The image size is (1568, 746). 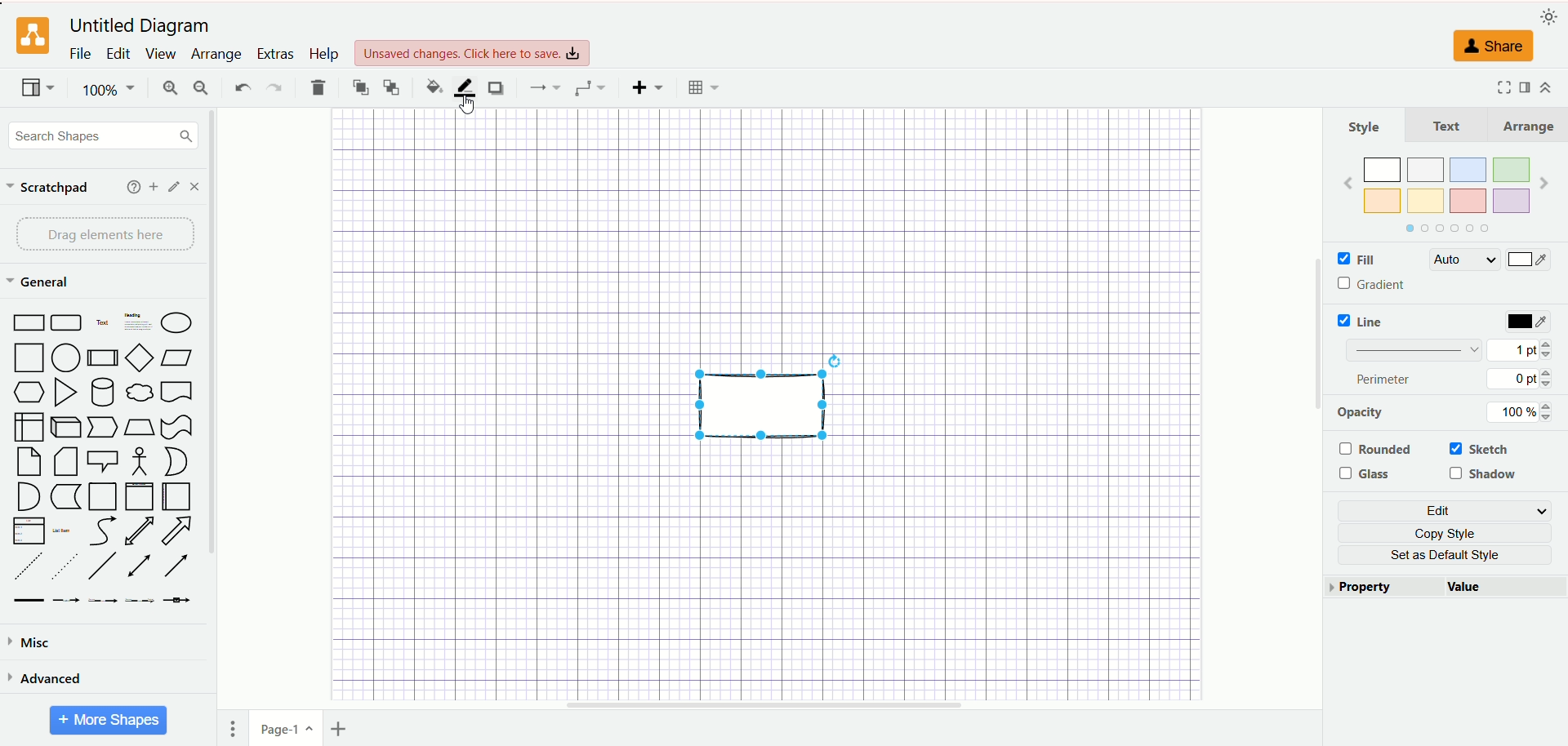 What do you see at coordinates (1376, 449) in the screenshot?
I see `rounded` at bounding box center [1376, 449].